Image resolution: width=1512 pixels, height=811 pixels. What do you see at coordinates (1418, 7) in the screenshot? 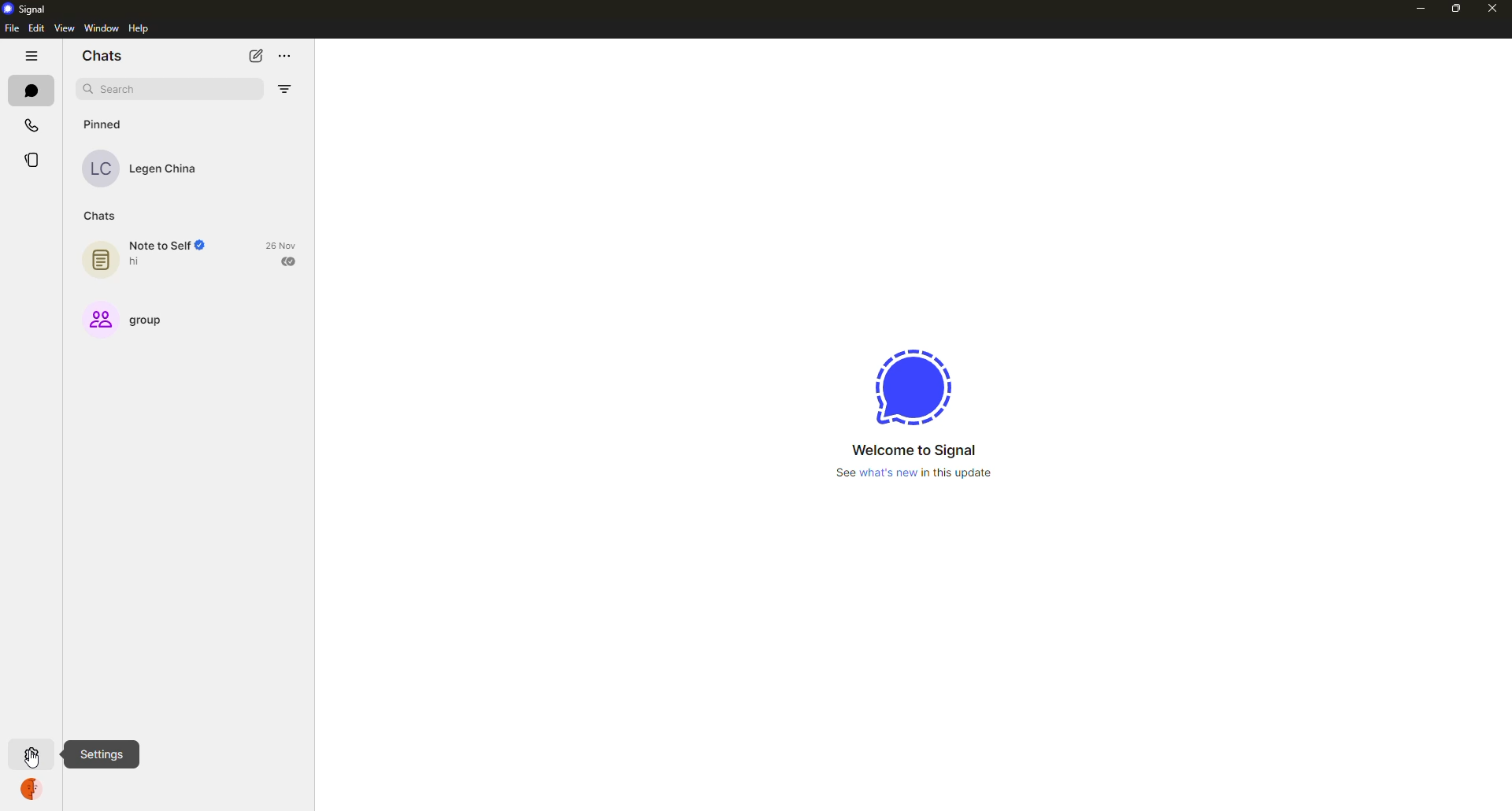
I see `minimize` at bounding box center [1418, 7].